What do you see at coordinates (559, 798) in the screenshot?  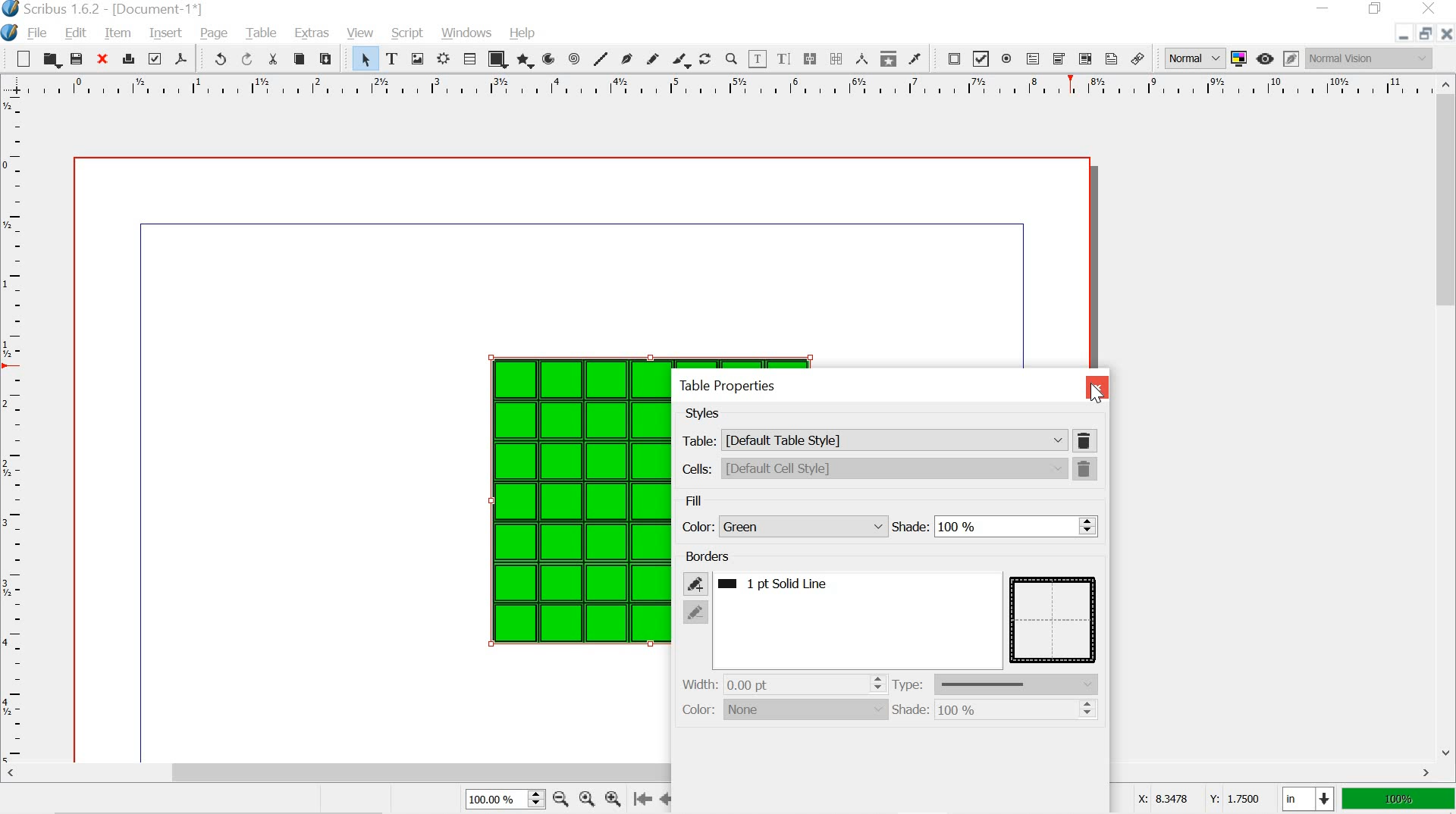 I see `zoom out` at bounding box center [559, 798].